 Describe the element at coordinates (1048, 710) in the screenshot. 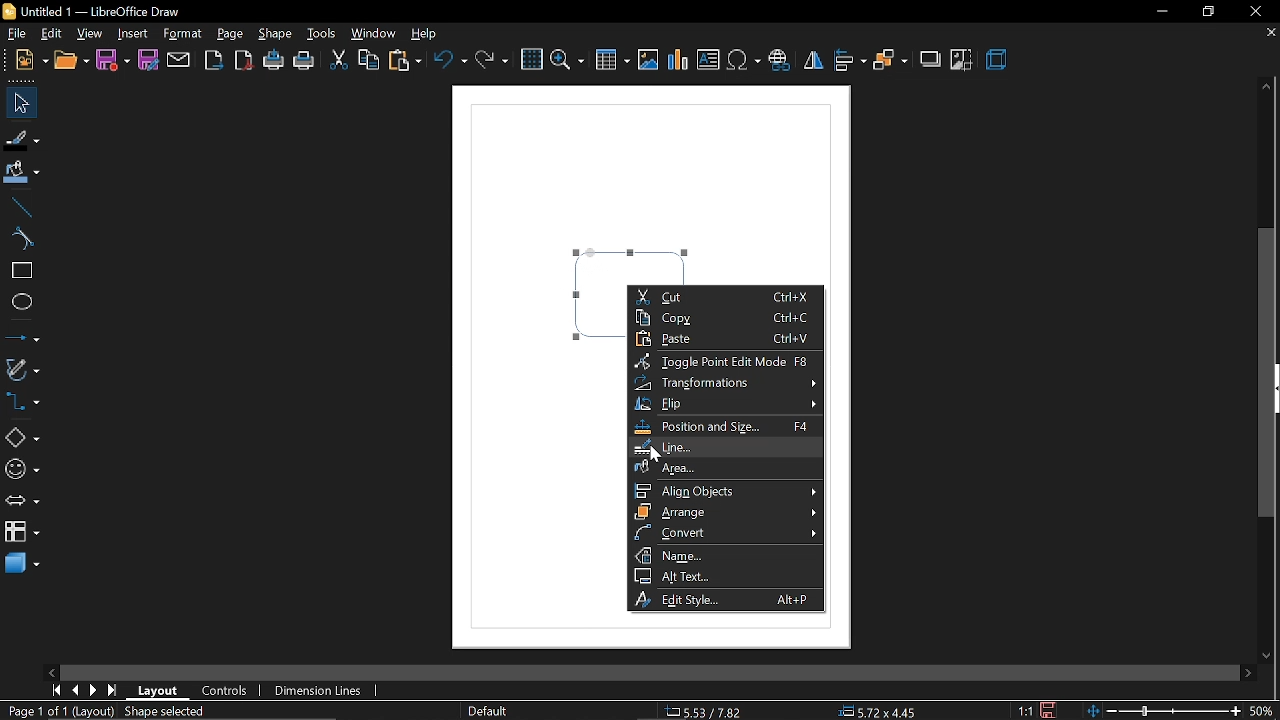

I see `save` at that location.